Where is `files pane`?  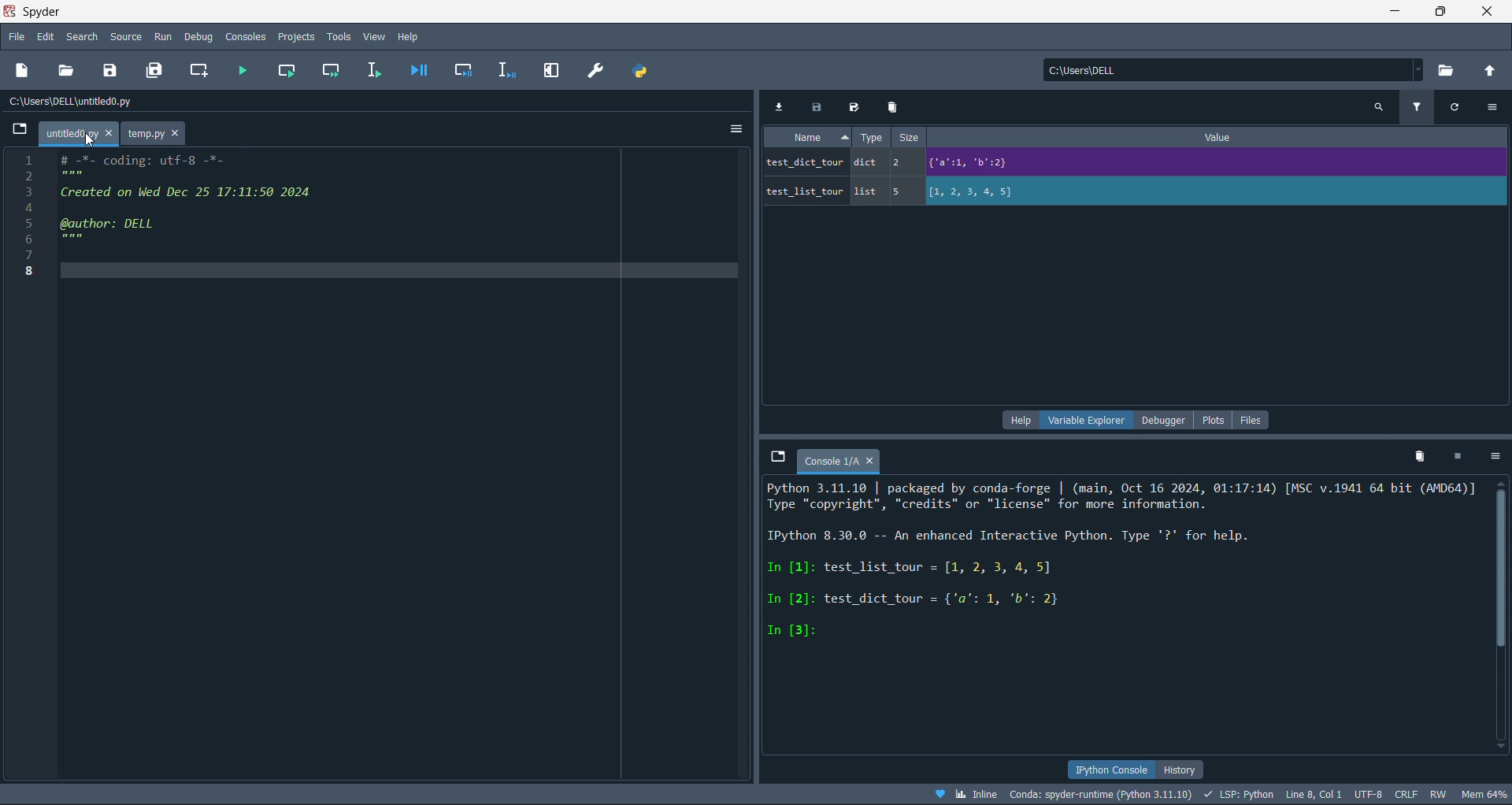 files pane is located at coordinates (1251, 420).